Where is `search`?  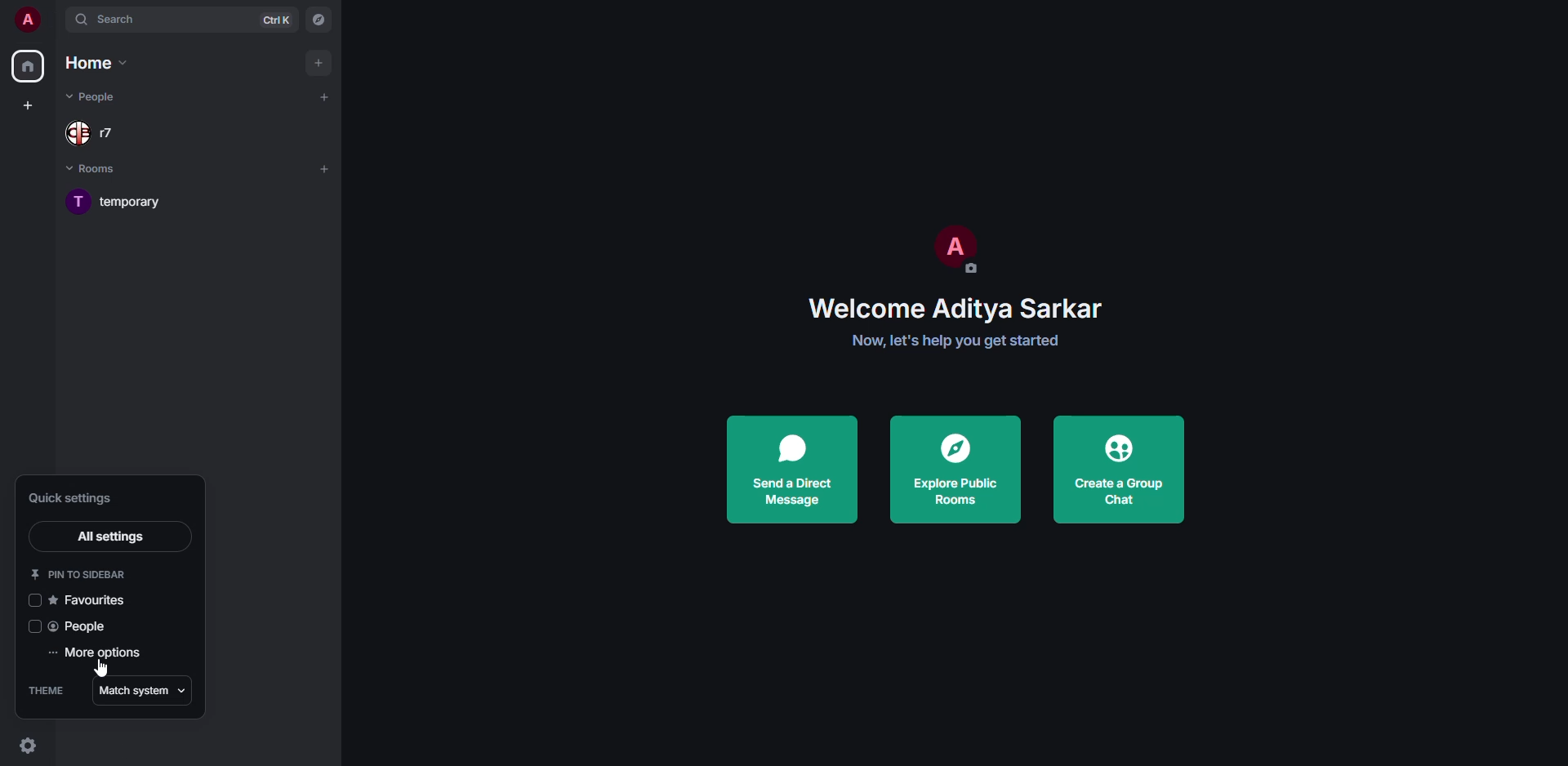
search is located at coordinates (114, 20).